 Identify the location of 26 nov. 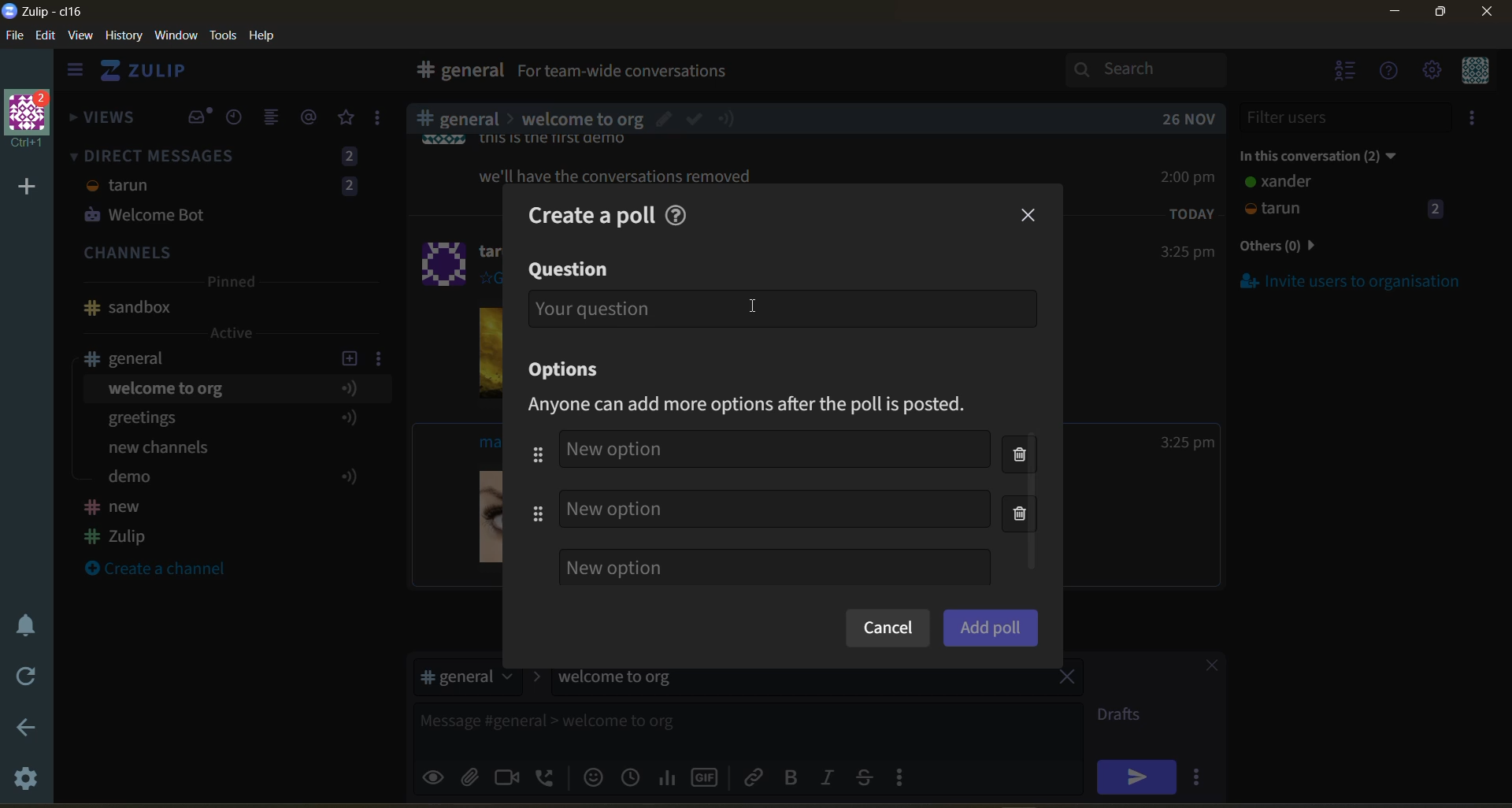
(1189, 119).